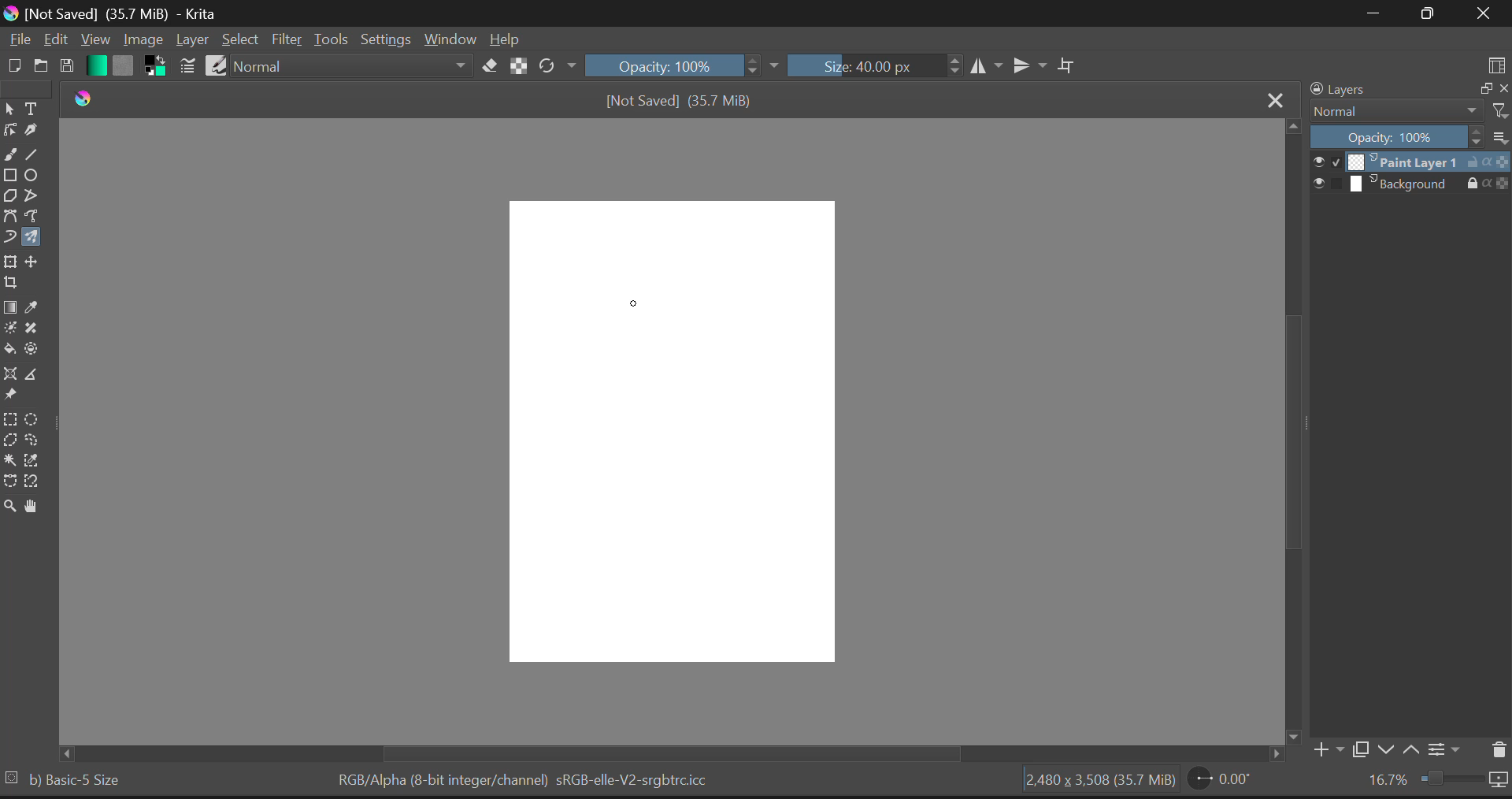 This screenshot has width=1512, height=799. What do you see at coordinates (240, 40) in the screenshot?
I see `Select` at bounding box center [240, 40].